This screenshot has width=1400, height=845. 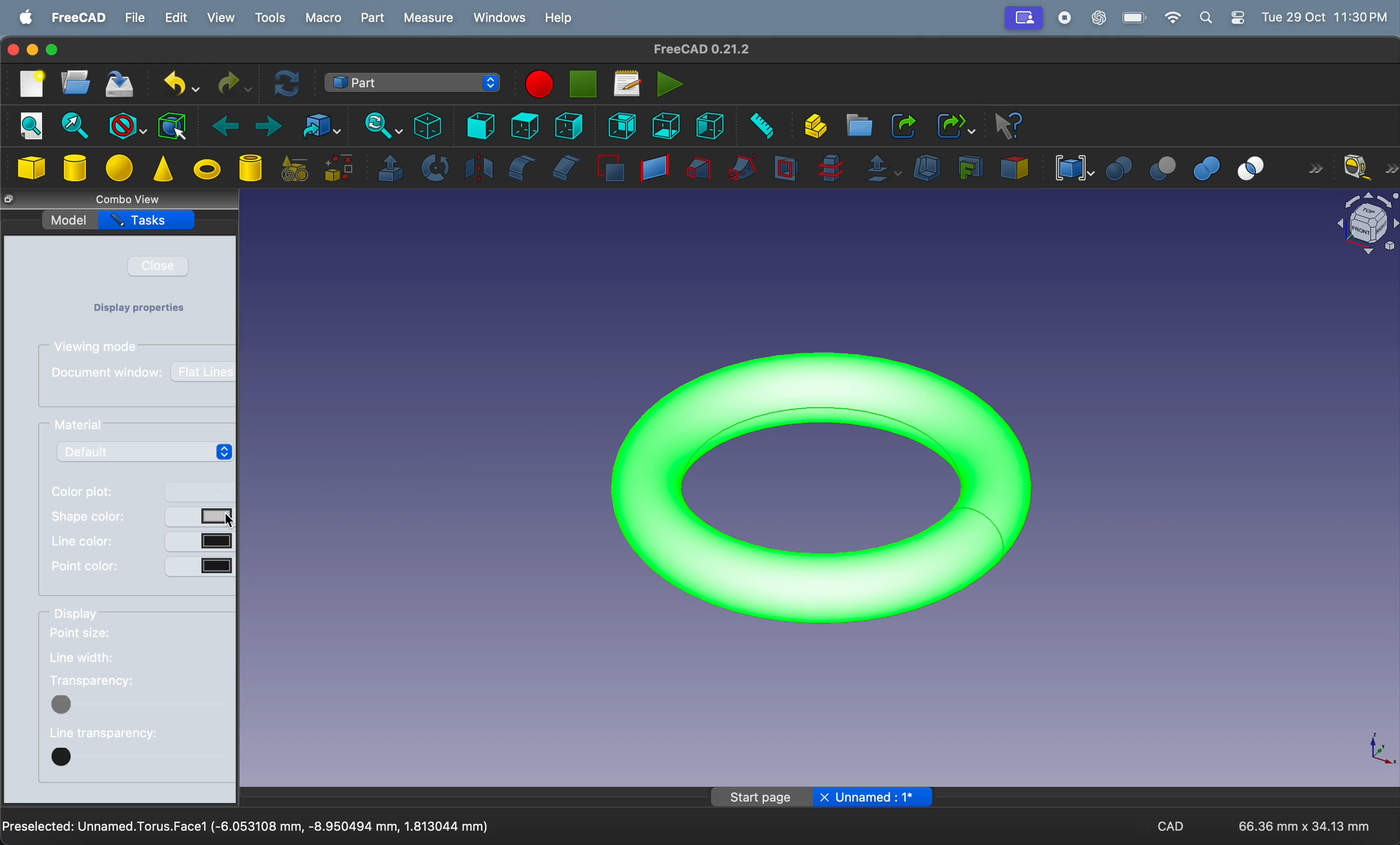 What do you see at coordinates (85, 426) in the screenshot?
I see `material` at bounding box center [85, 426].